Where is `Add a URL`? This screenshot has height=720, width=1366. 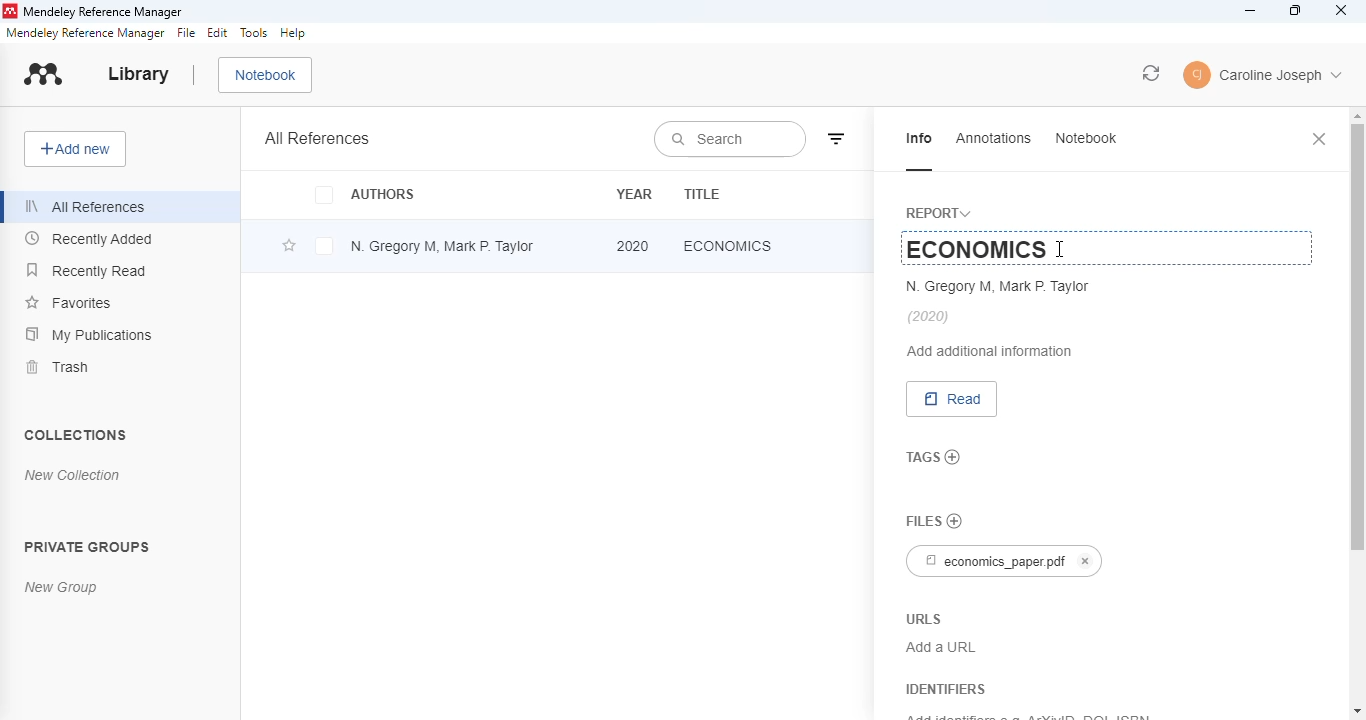 Add a URL is located at coordinates (941, 646).